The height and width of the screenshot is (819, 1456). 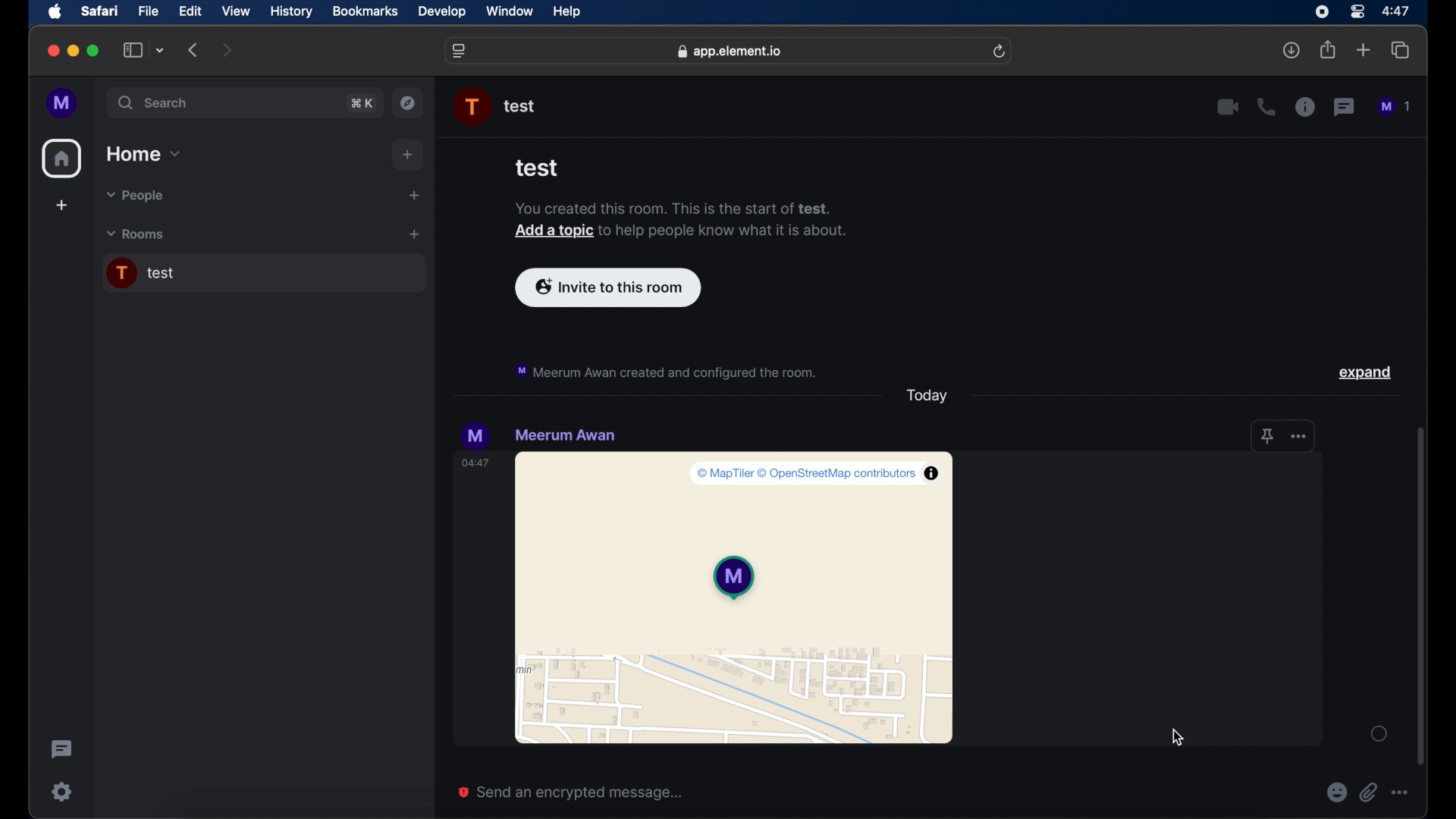 What do you see at coordinates (1356, 11) in the screenshot?
I see `control center` at bounding box center [1356, 11].